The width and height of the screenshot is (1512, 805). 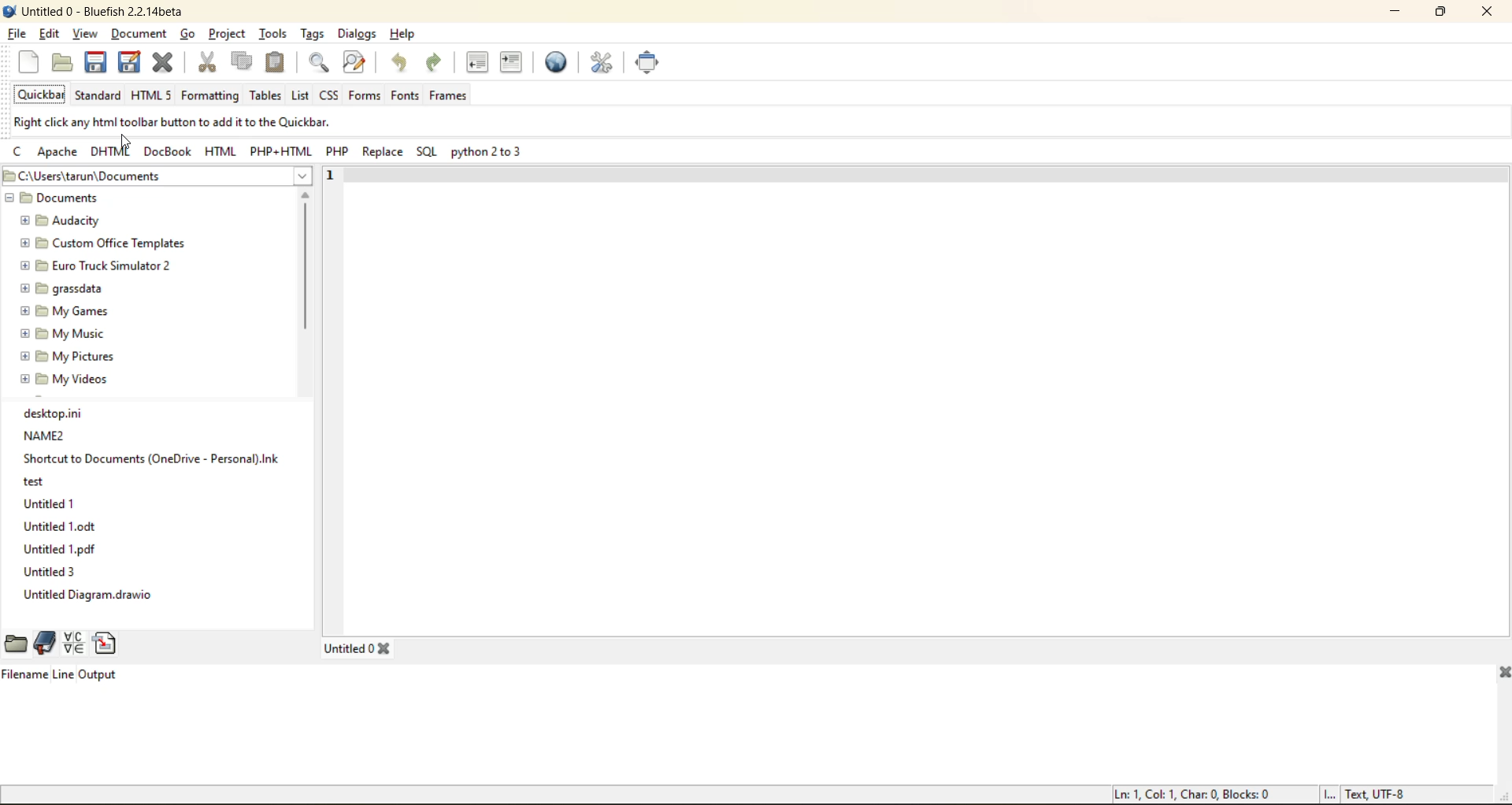 What do you see at coordinates (188, 36) in the screenshot?
I see `go` at bounding box center [188, 36].